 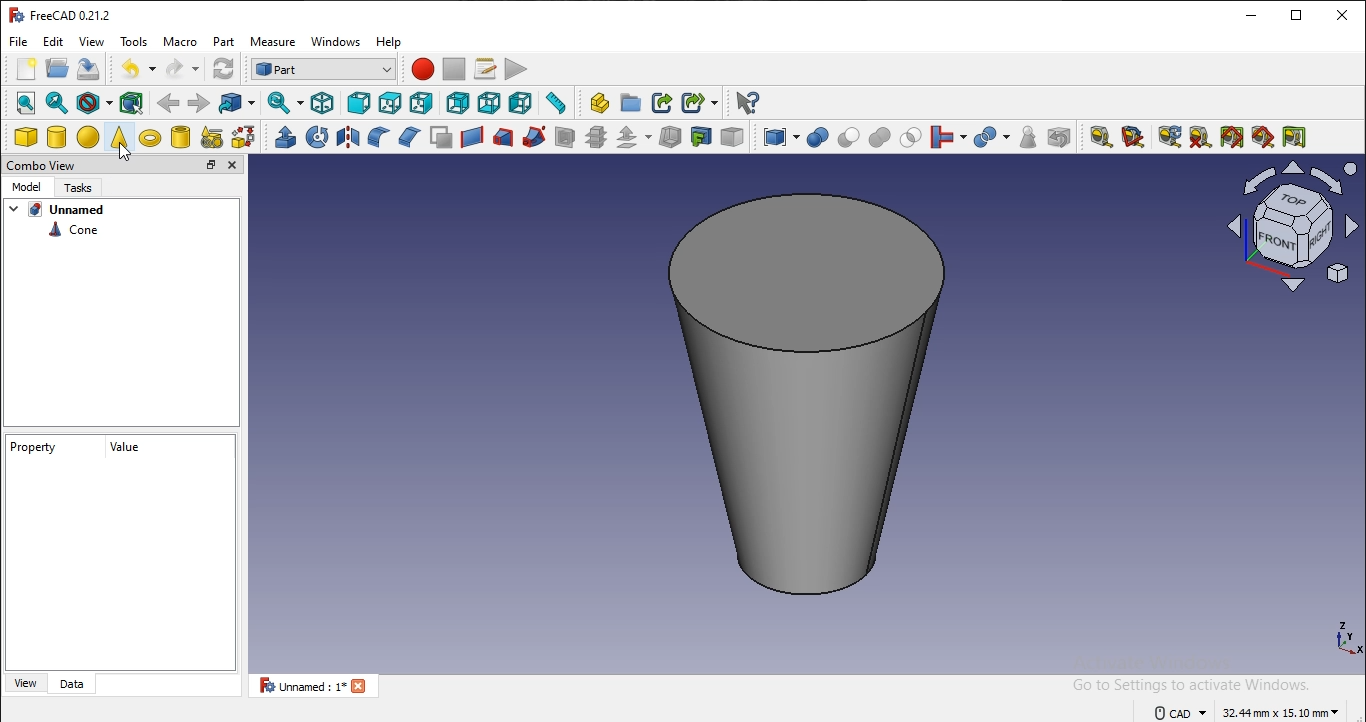 I want to click on rear, so click(x=457, y=102).